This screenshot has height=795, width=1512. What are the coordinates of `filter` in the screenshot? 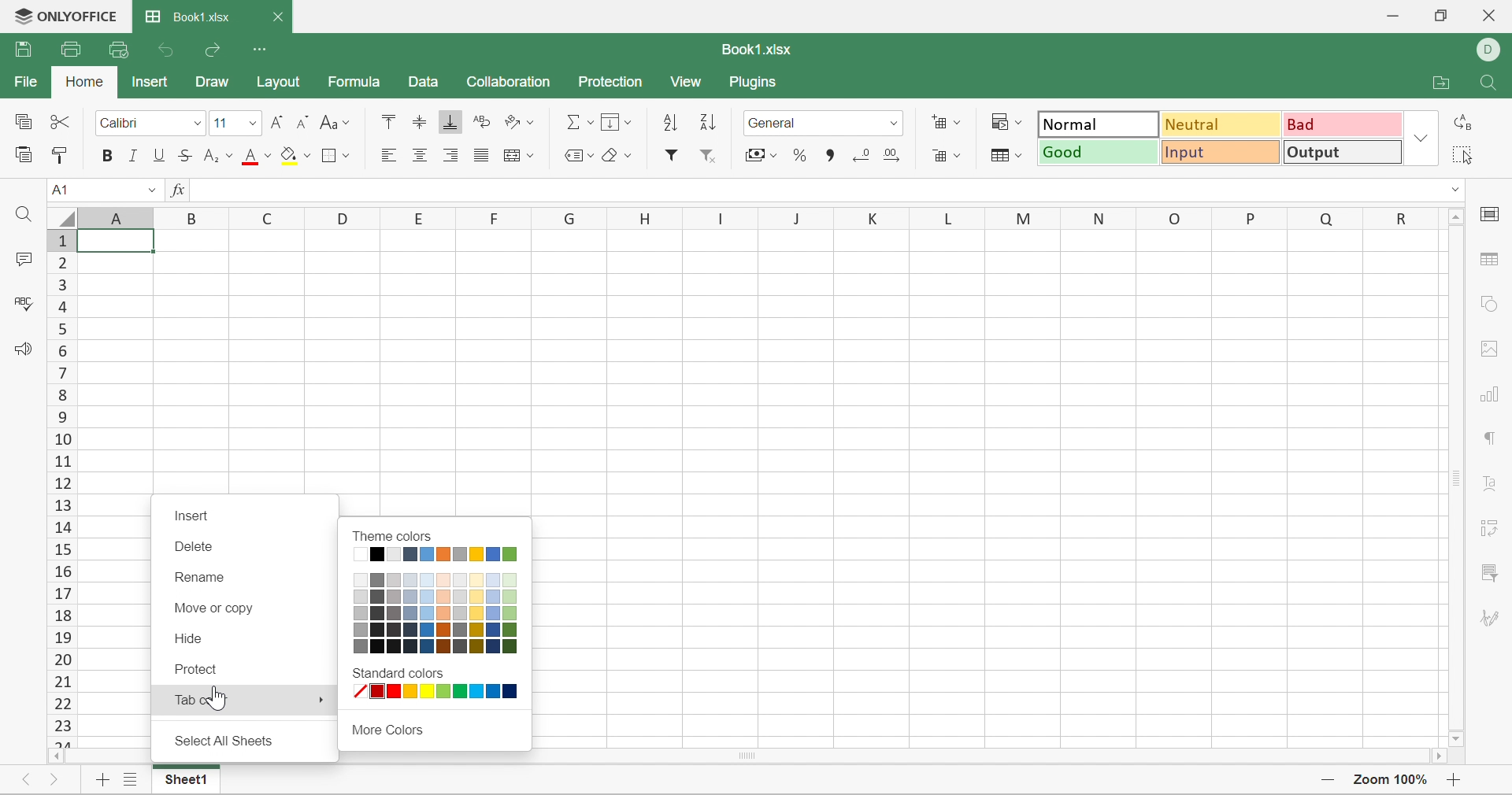 It's located at (669, 157).